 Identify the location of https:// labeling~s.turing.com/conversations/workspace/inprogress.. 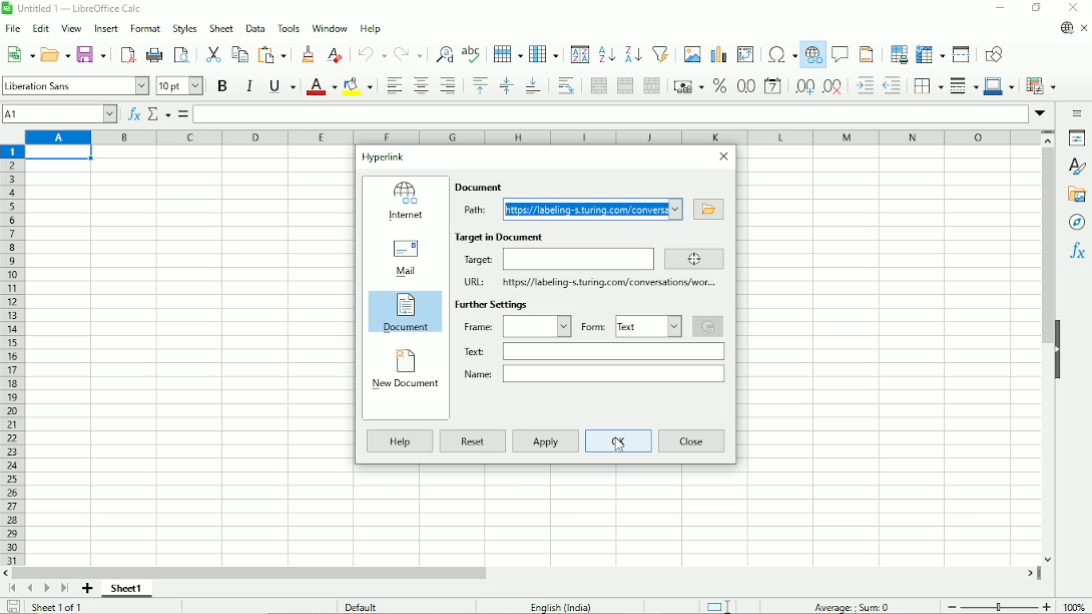
(593, 209).